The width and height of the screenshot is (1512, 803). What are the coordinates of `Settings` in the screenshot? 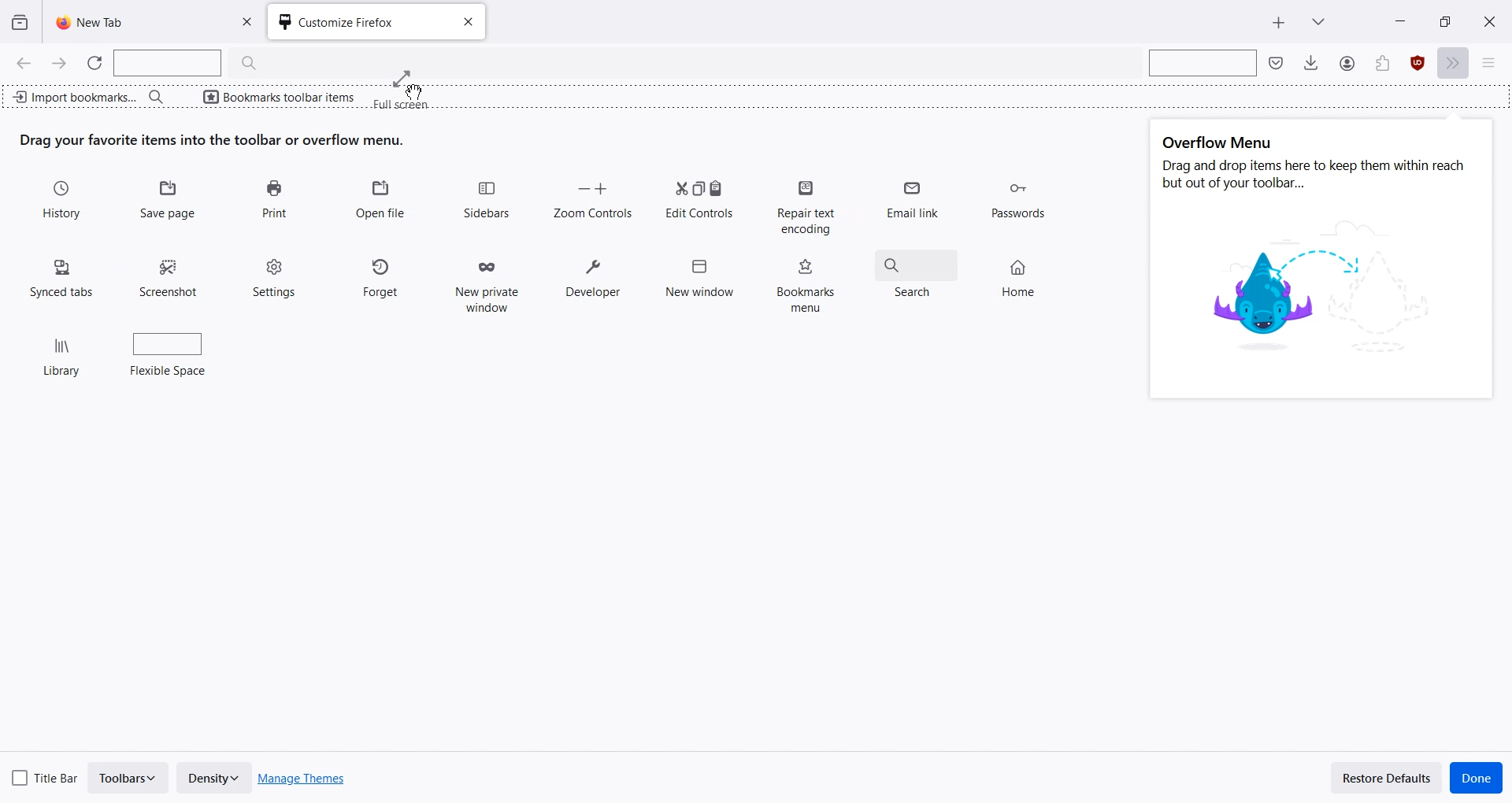 It's located at (276, 276).